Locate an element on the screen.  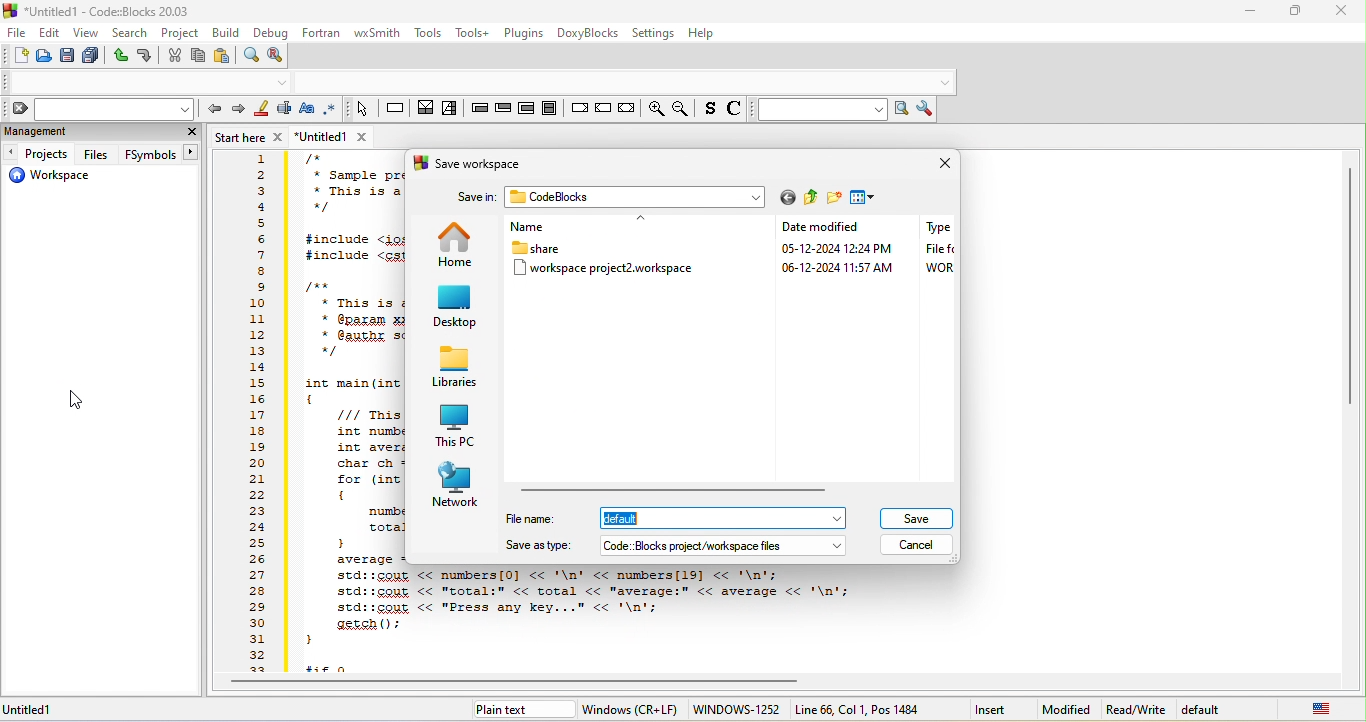
close is located at coordinates (1343, 11).